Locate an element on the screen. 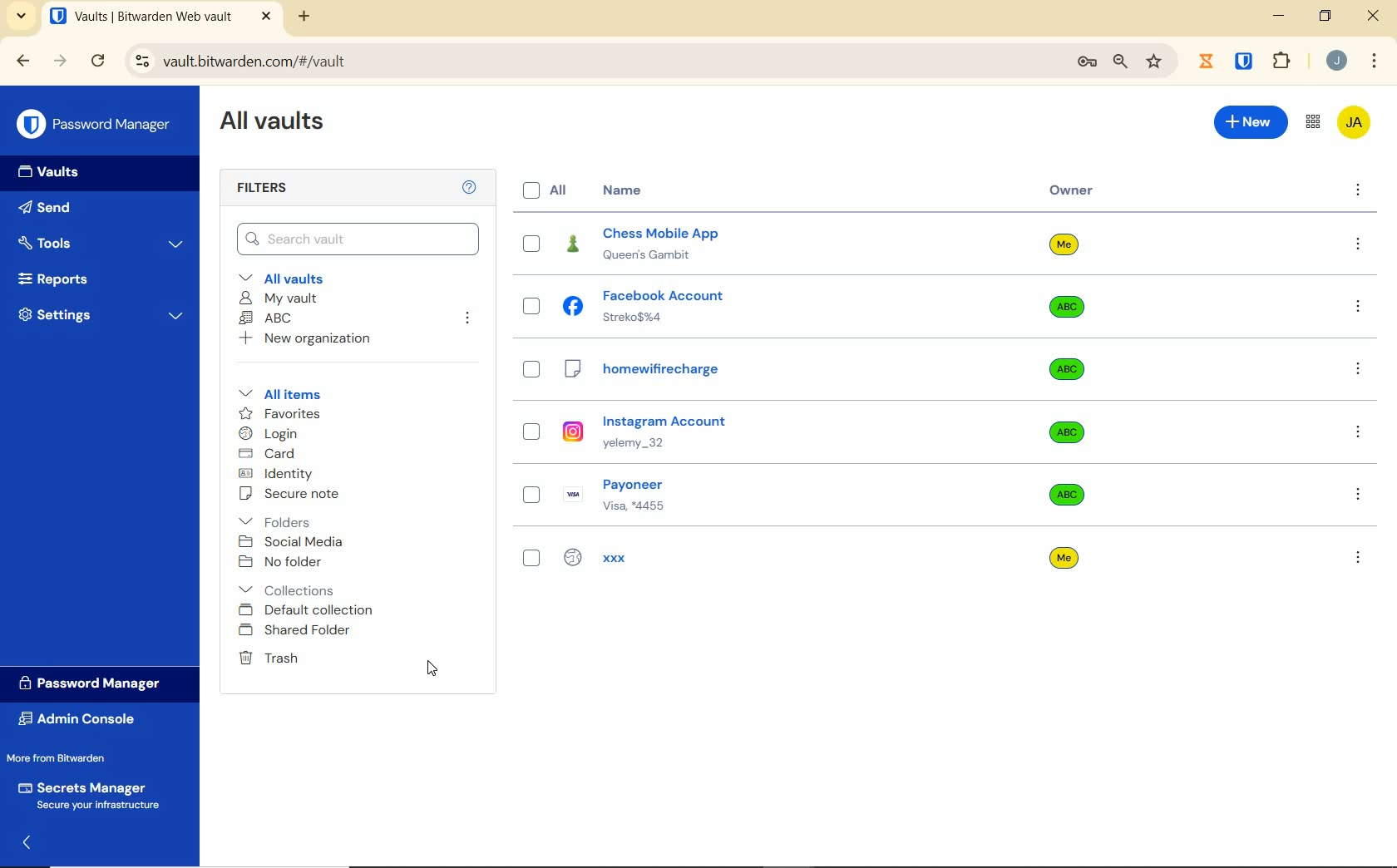 This screenshot has width=1397, height=868. Settings is located at coordinates (104, 318).